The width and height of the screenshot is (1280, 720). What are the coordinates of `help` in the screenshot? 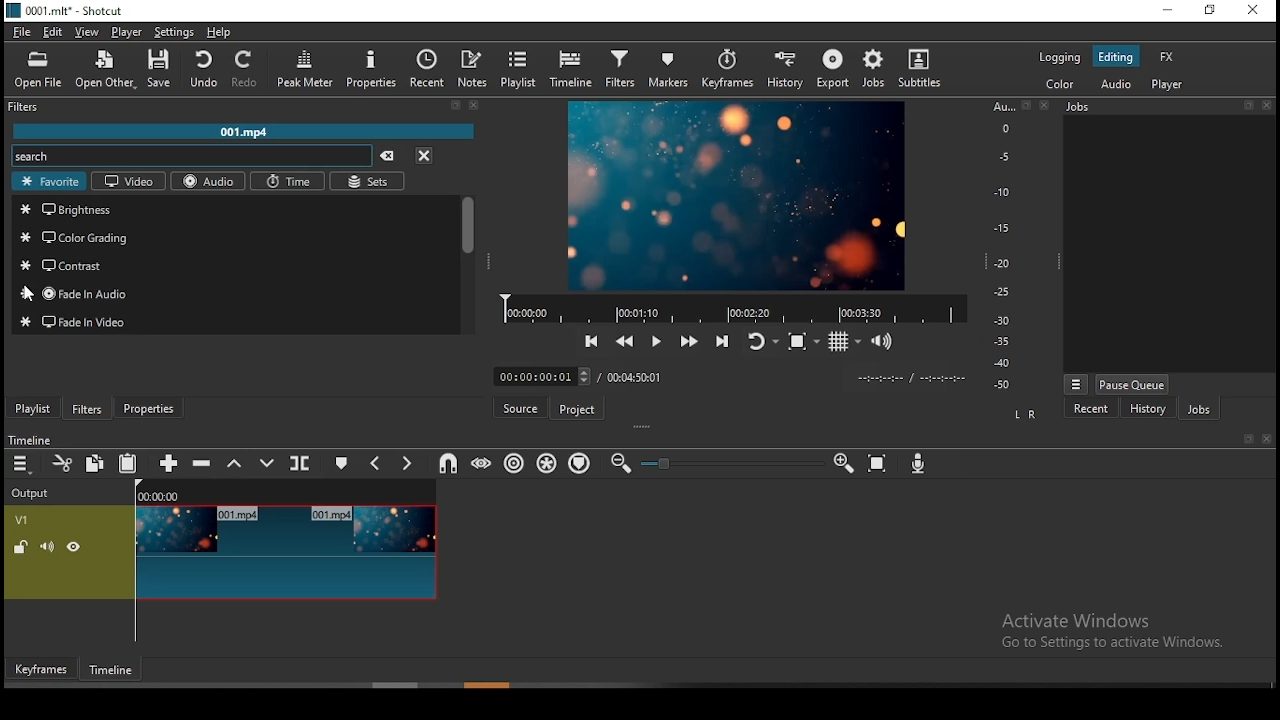 It's located at (224, 32).